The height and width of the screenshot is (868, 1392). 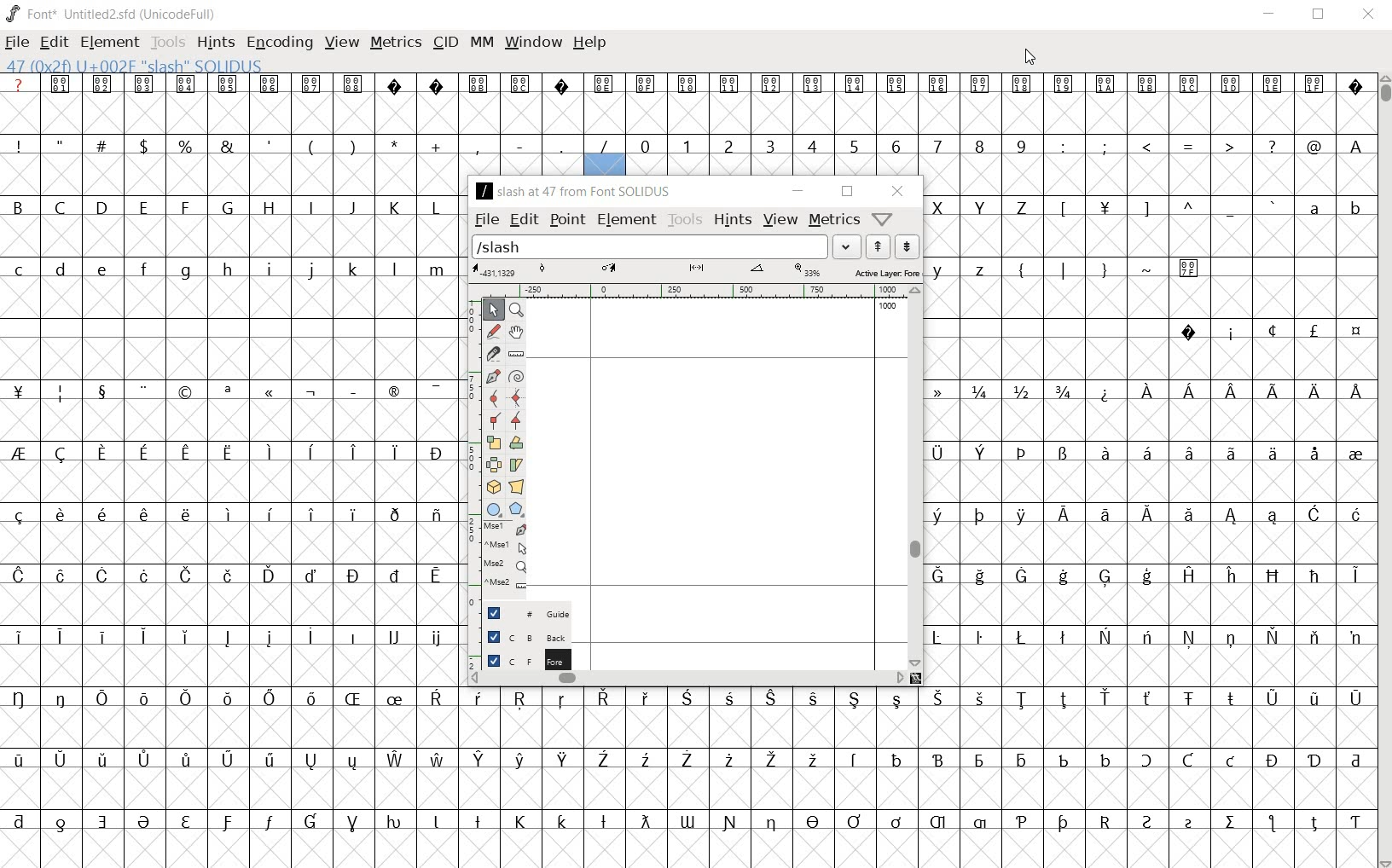 What do you see at coordinates (445, 43) in the screenshot?
I see `CID` at bounding box center [445, 43].